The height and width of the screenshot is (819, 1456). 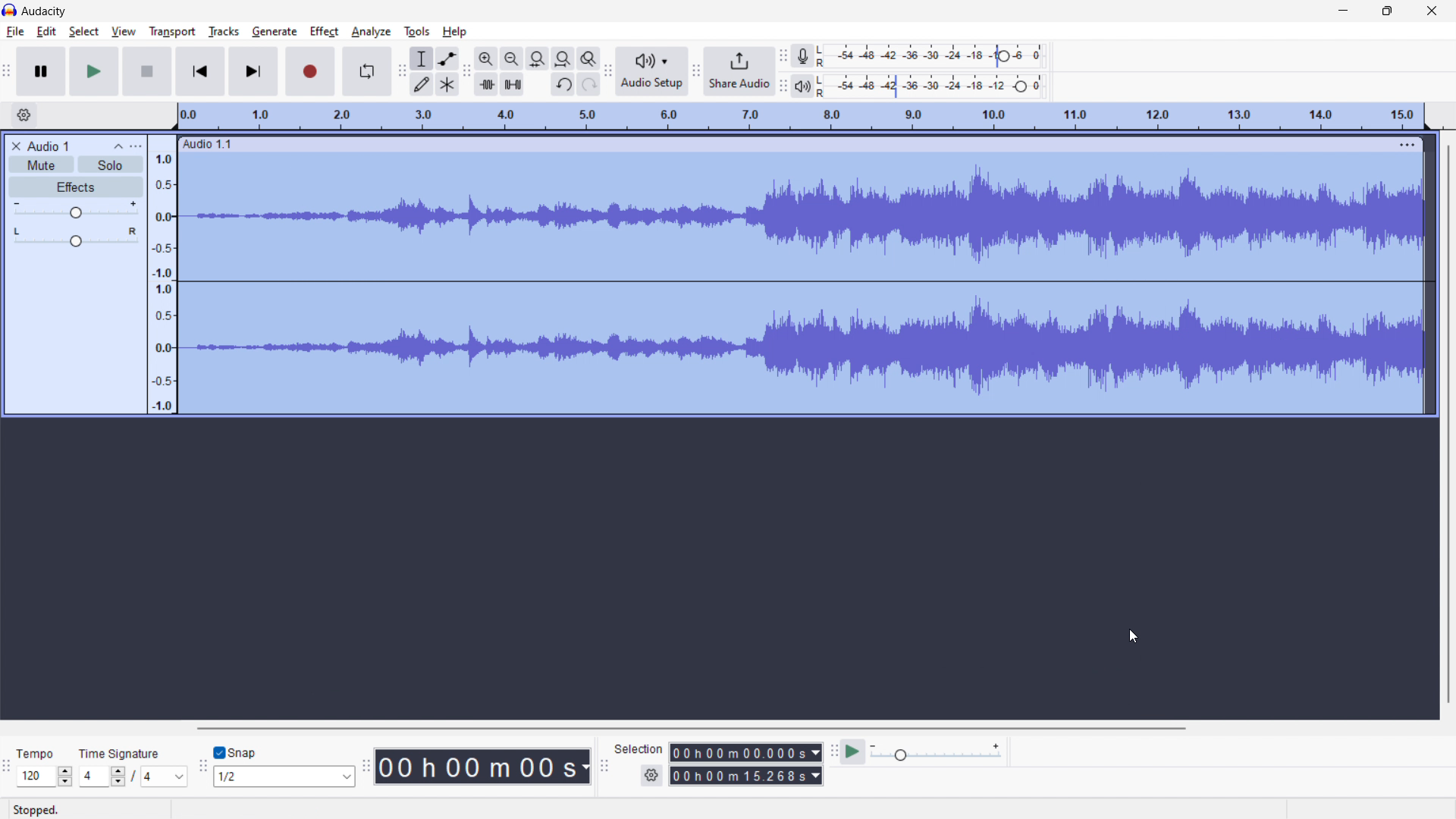 What do you see at coordinates (740, 71) in the screenshot?
I see `share audio` at bounding box center [740, 71].